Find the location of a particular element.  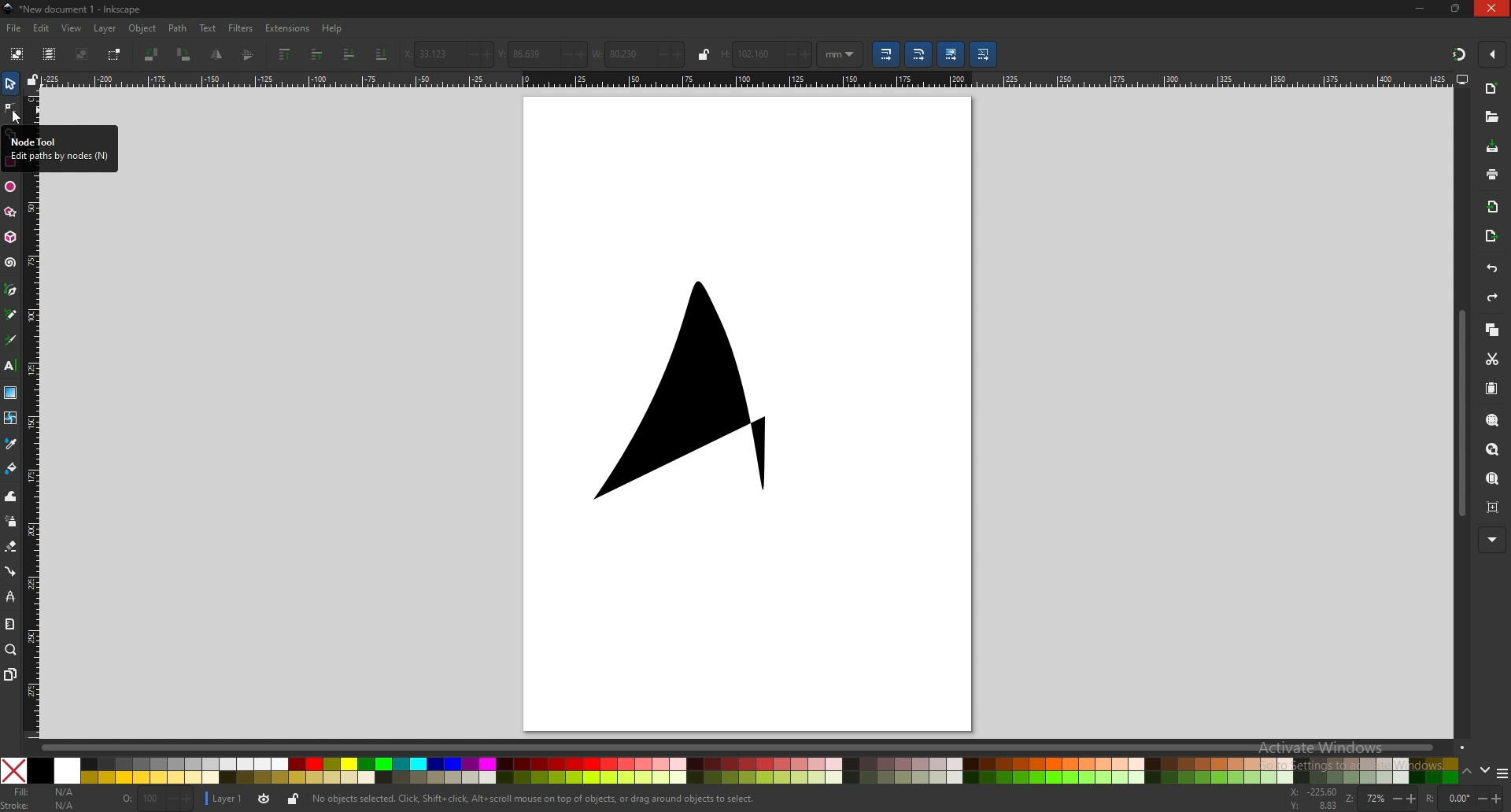

raise selection to top is located at coordinates (286, 55).